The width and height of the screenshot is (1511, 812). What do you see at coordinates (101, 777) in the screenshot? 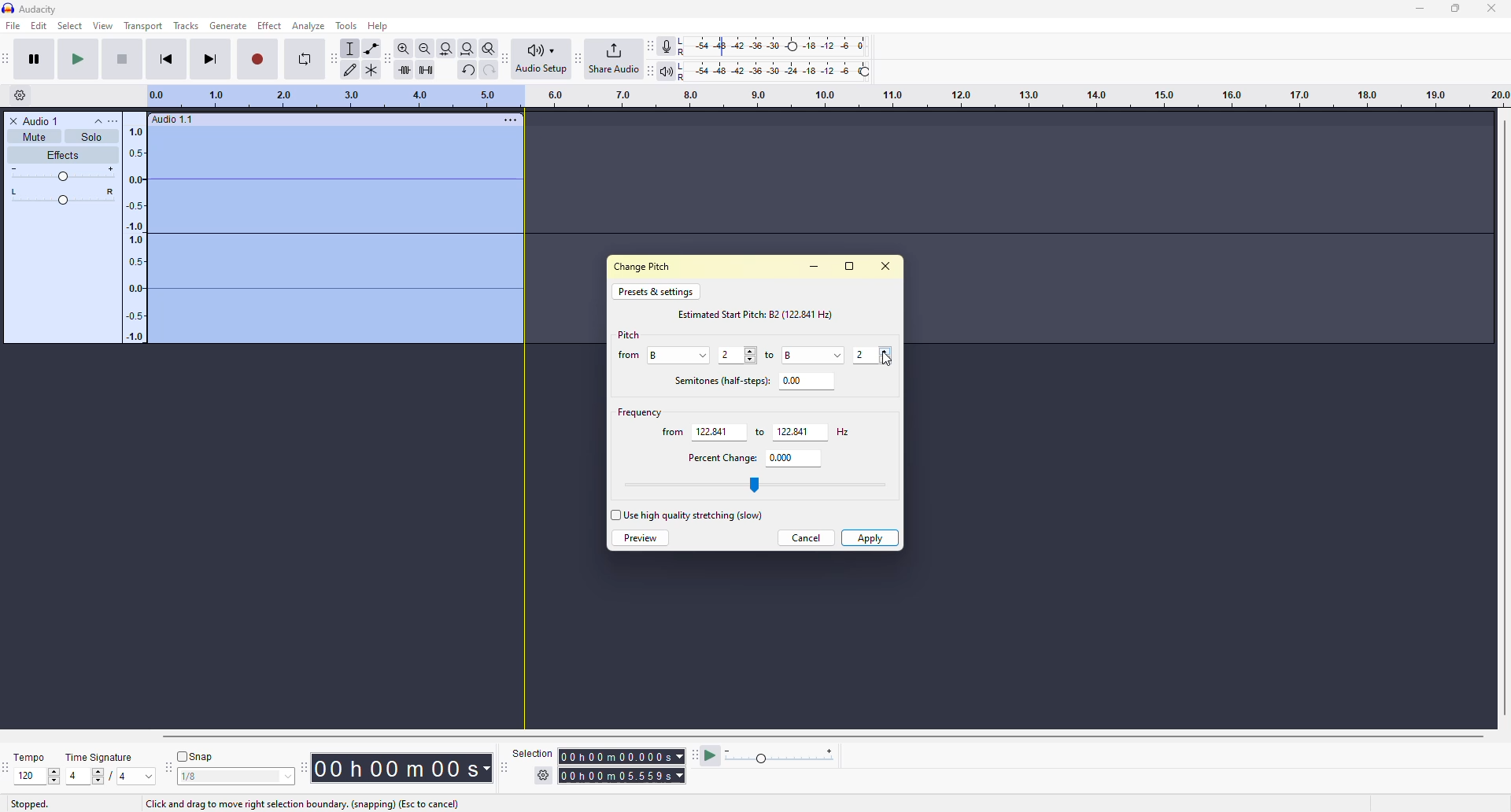
I see `select` at bounding box center [101, 777].